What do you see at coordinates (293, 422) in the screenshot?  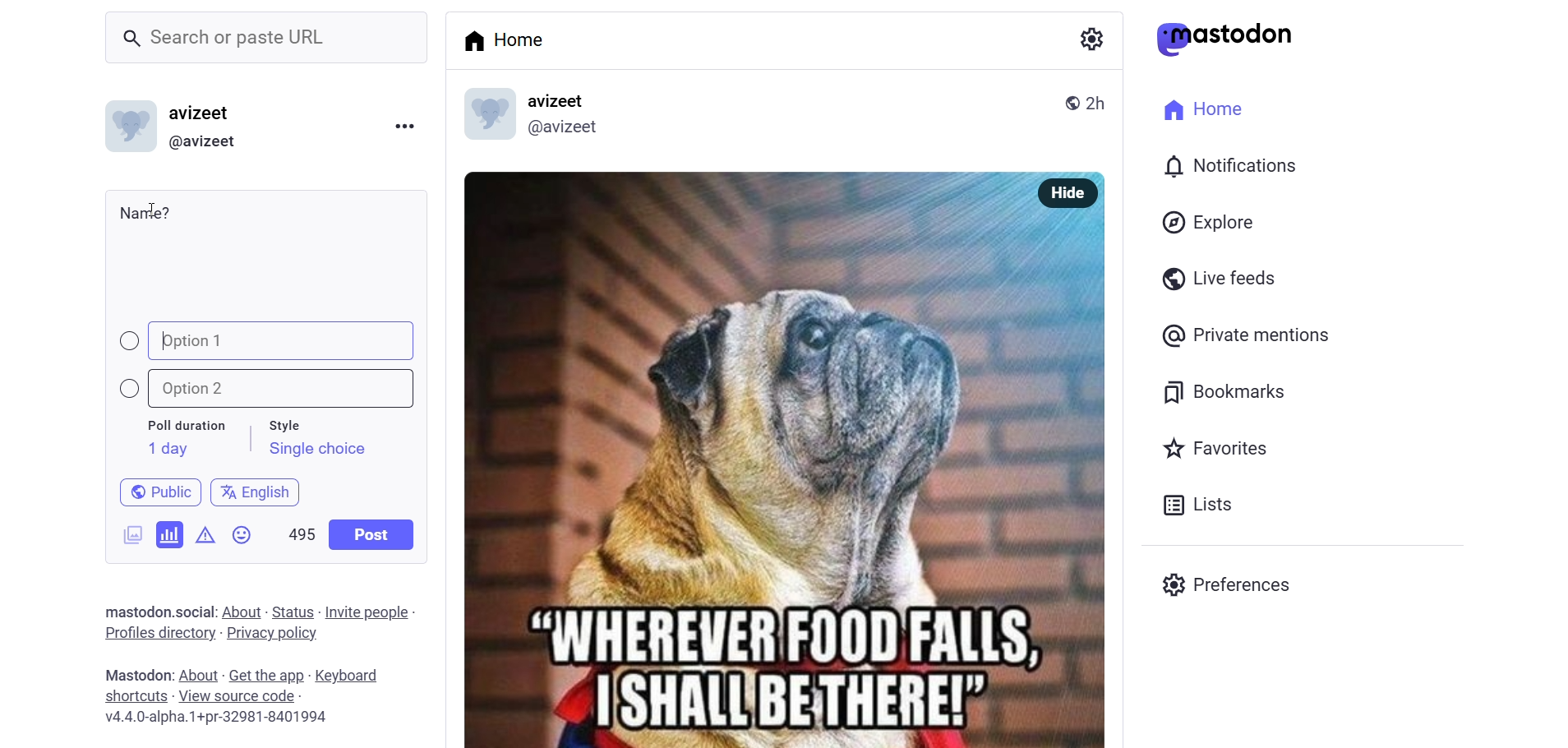 I see `style` at bounding box center [293, 422].